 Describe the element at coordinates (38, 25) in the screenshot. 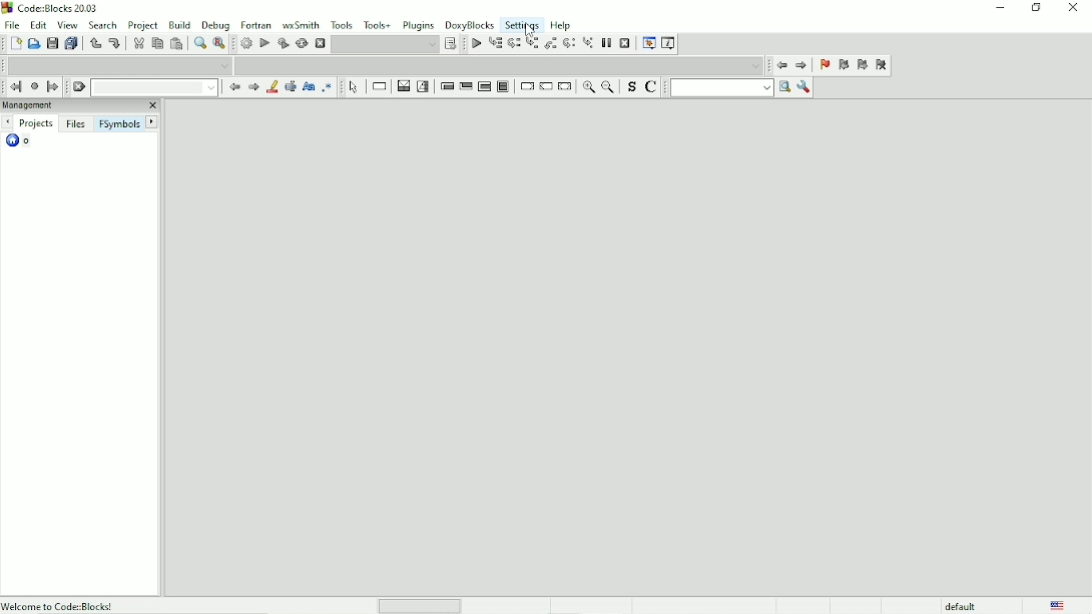

I see `Edit` at that location.